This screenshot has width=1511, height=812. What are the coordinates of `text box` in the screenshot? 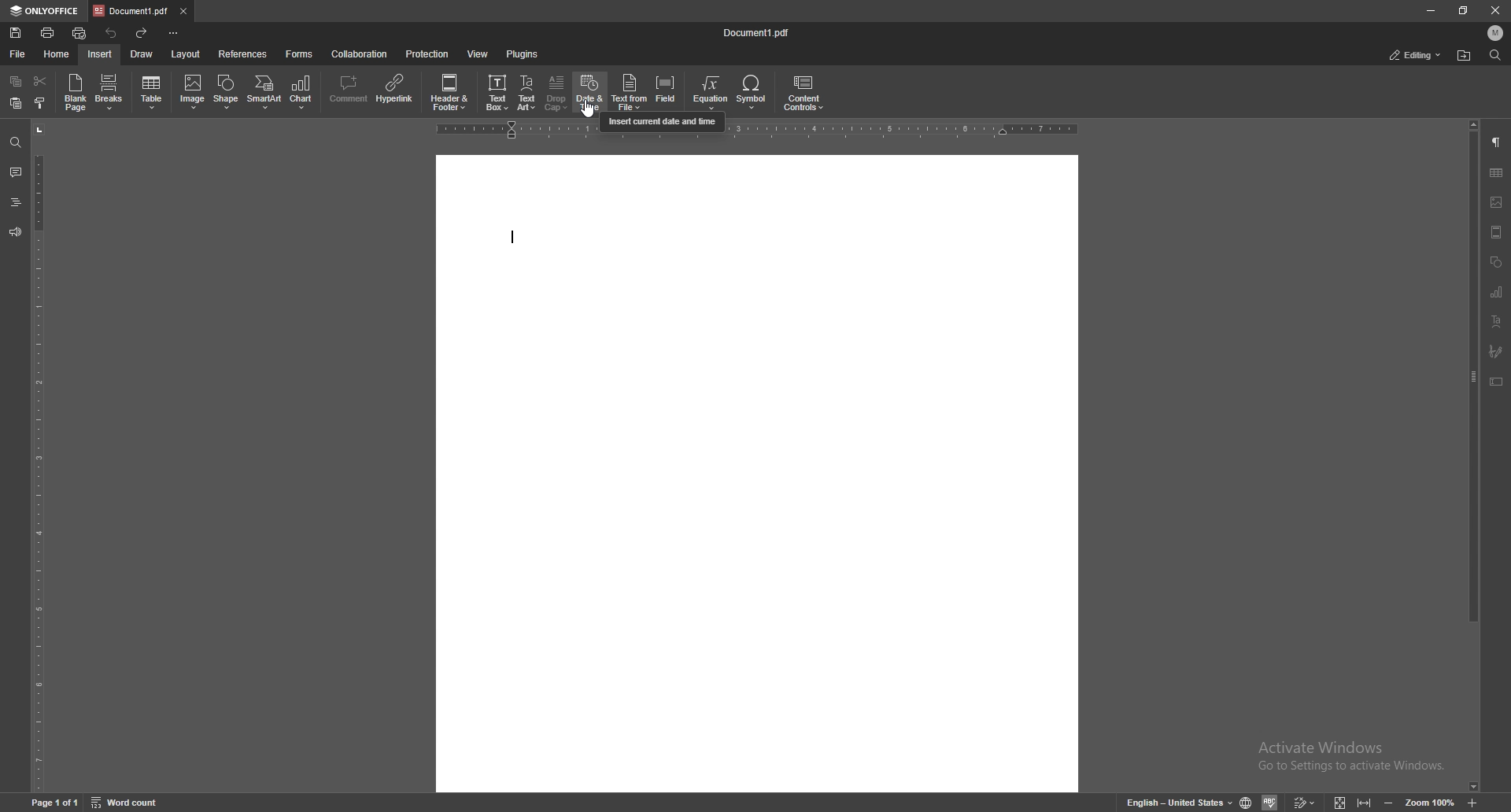 It's located at (1497, 382).